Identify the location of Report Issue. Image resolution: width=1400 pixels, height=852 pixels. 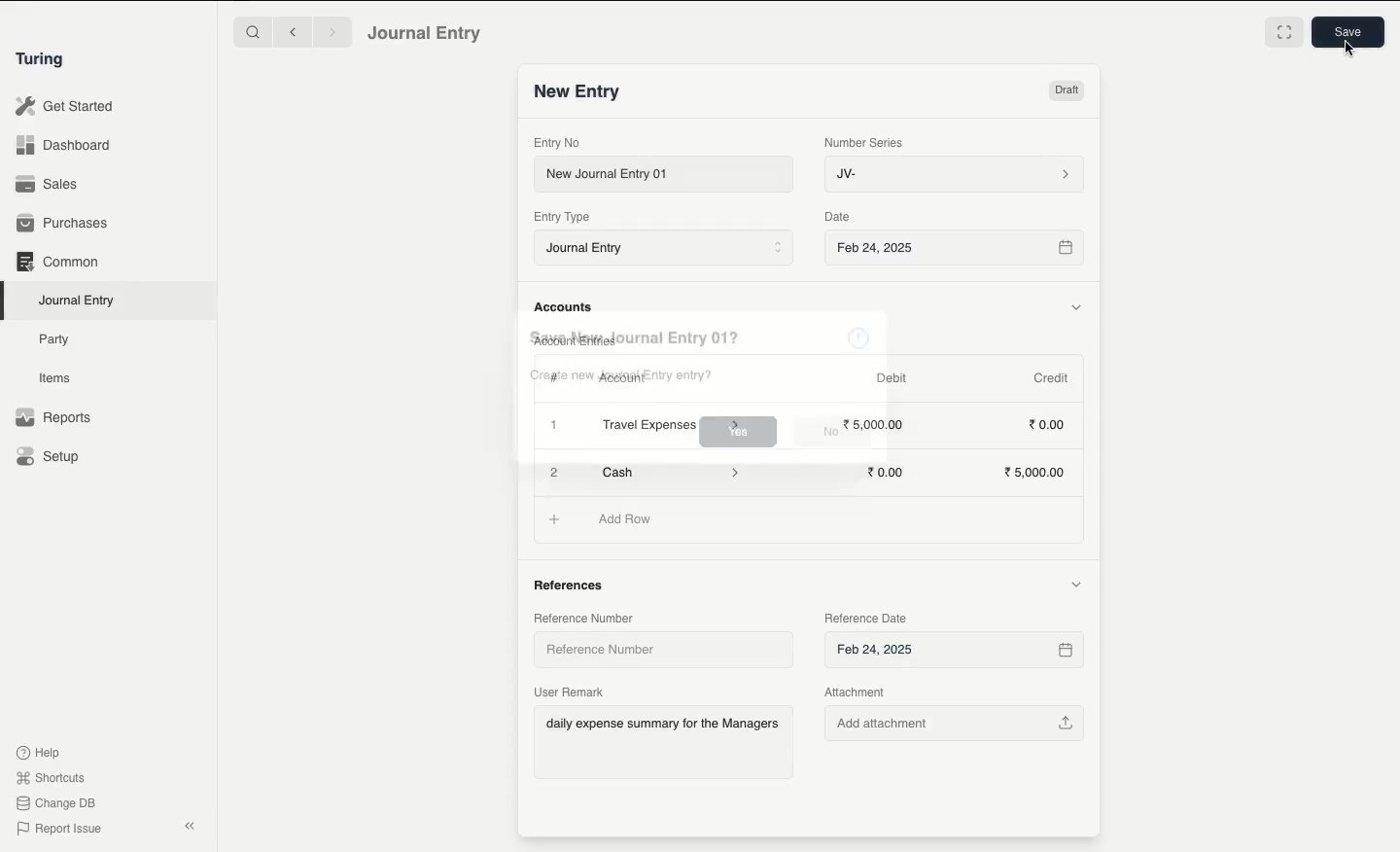
(61, 830).